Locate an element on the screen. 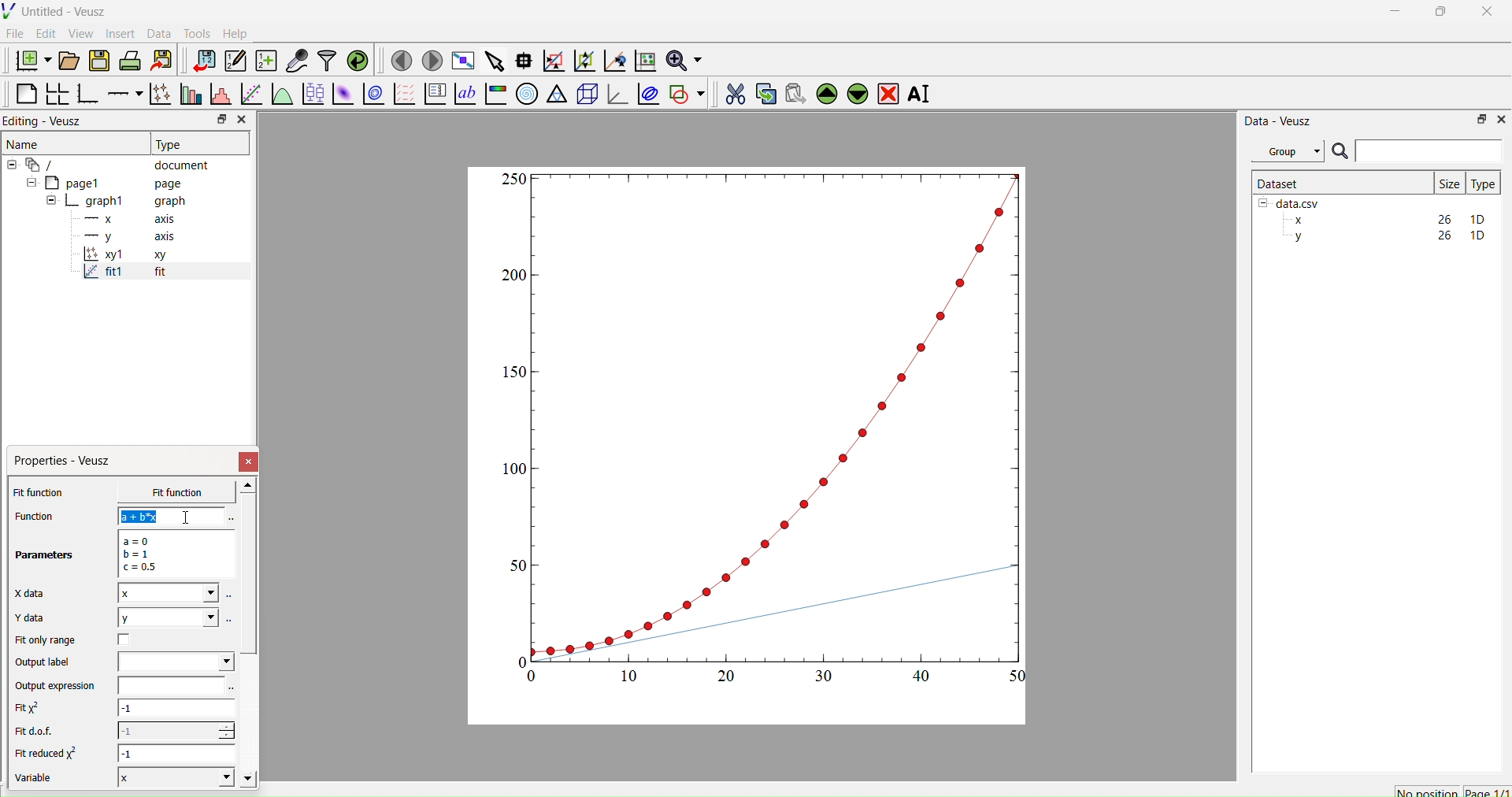 The image size is (1512, 797). Dataset is located at coordinates (1279, 183).